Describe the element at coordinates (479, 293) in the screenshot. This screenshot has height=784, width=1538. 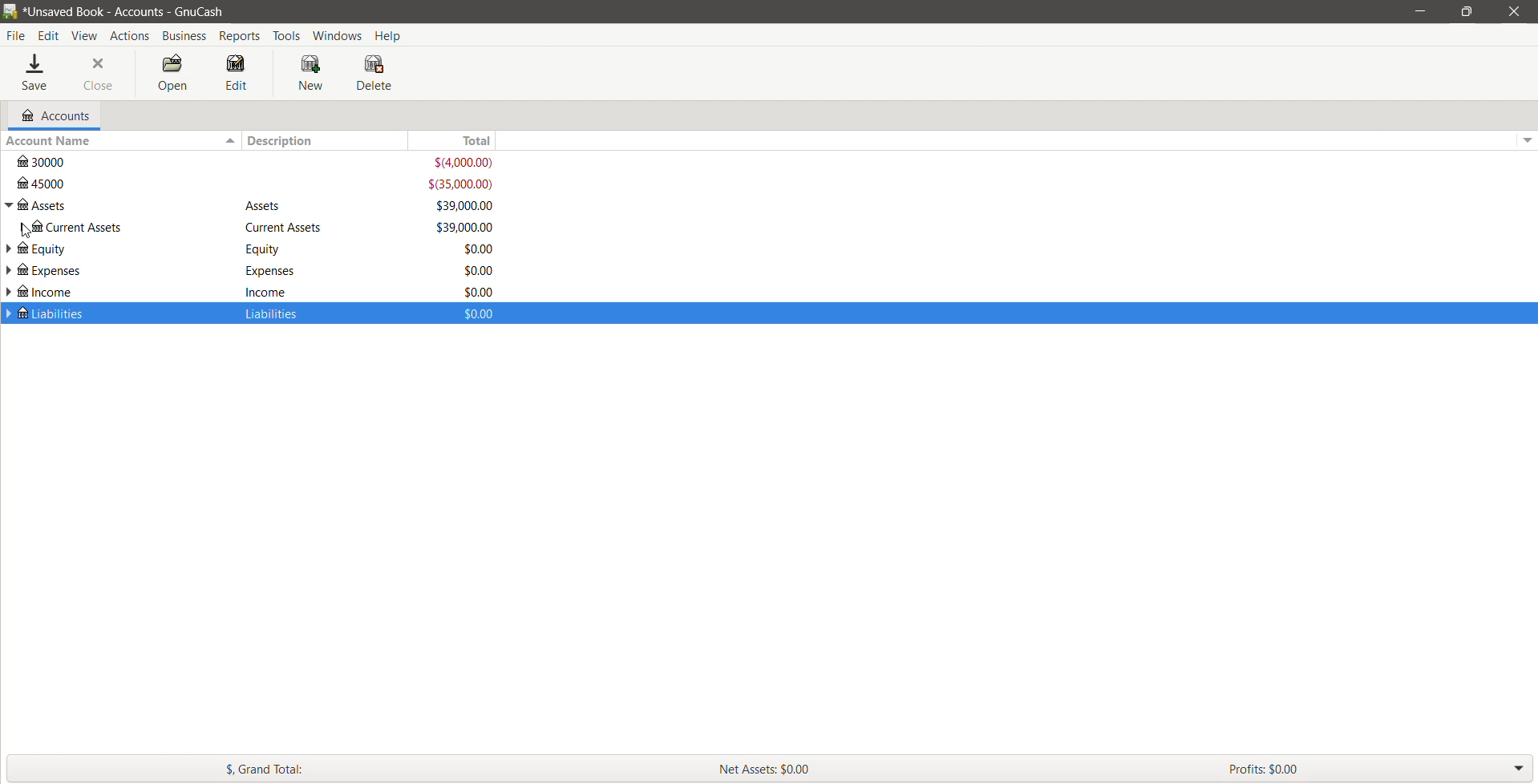
I see `$0.00` at that location.